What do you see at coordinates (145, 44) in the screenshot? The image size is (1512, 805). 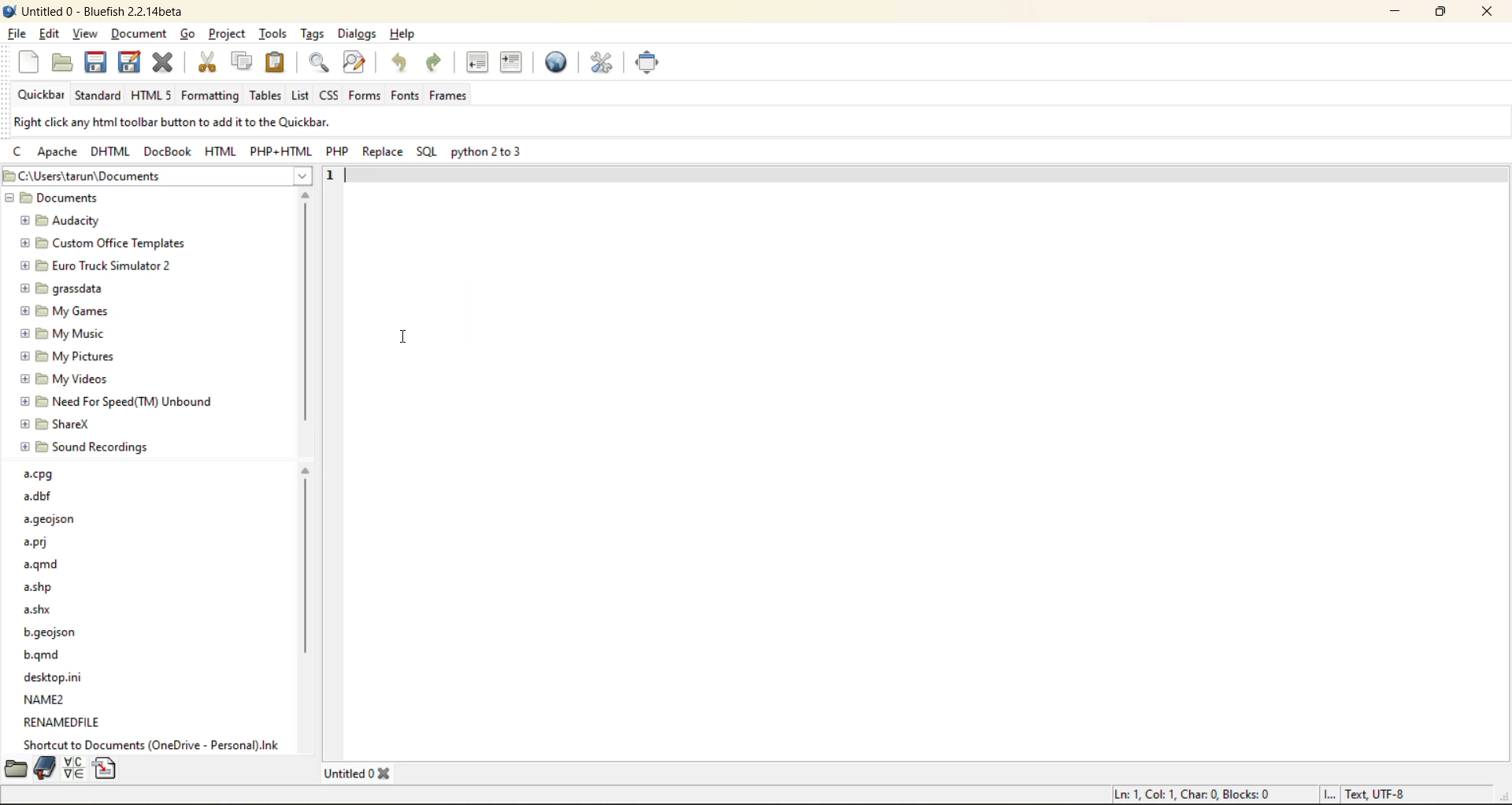 I see `cursor` at bounding box center [145, 44].